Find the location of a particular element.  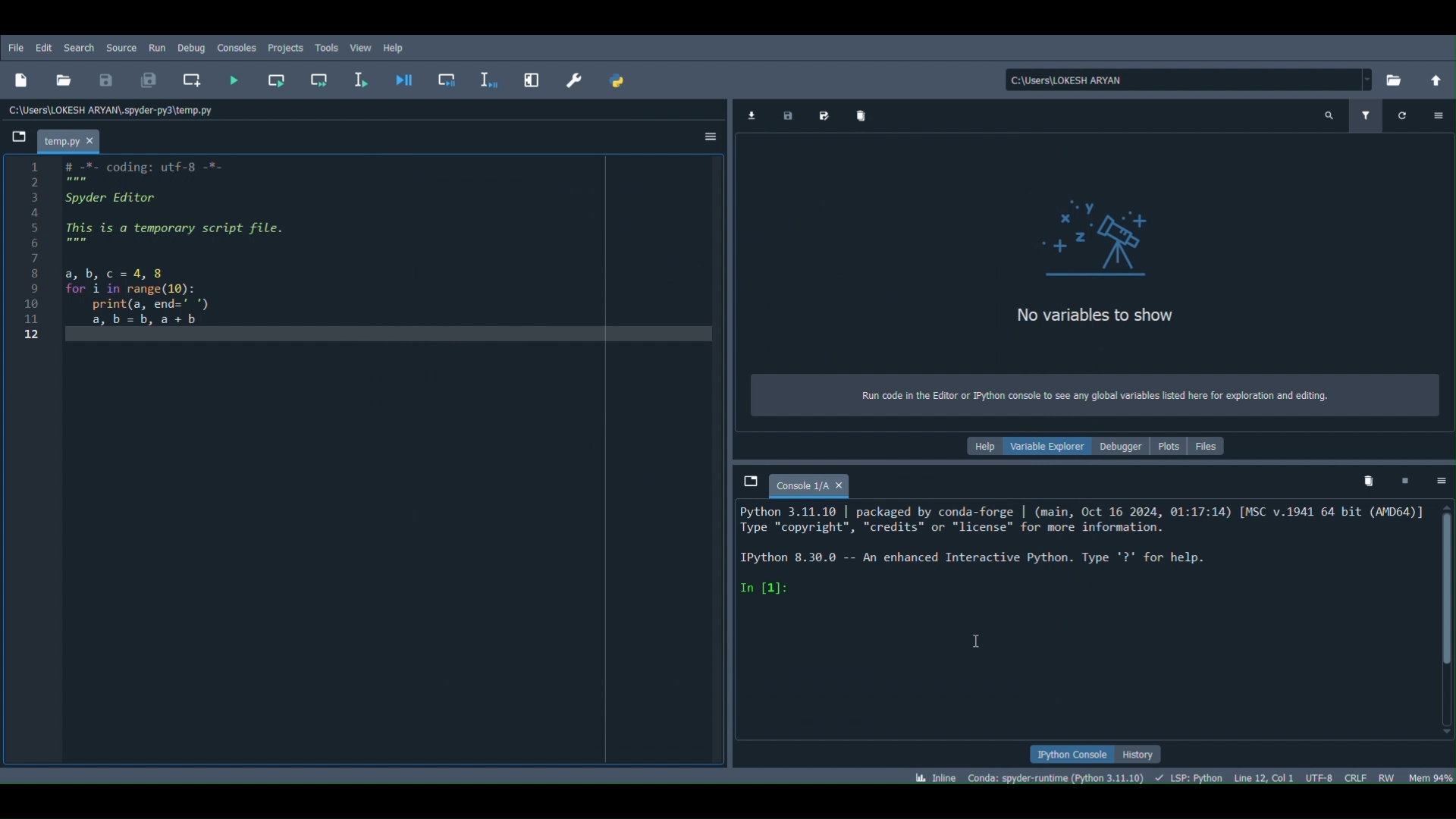

Completions, linting , code folding and symbols is located at coordinates (1192, 777).